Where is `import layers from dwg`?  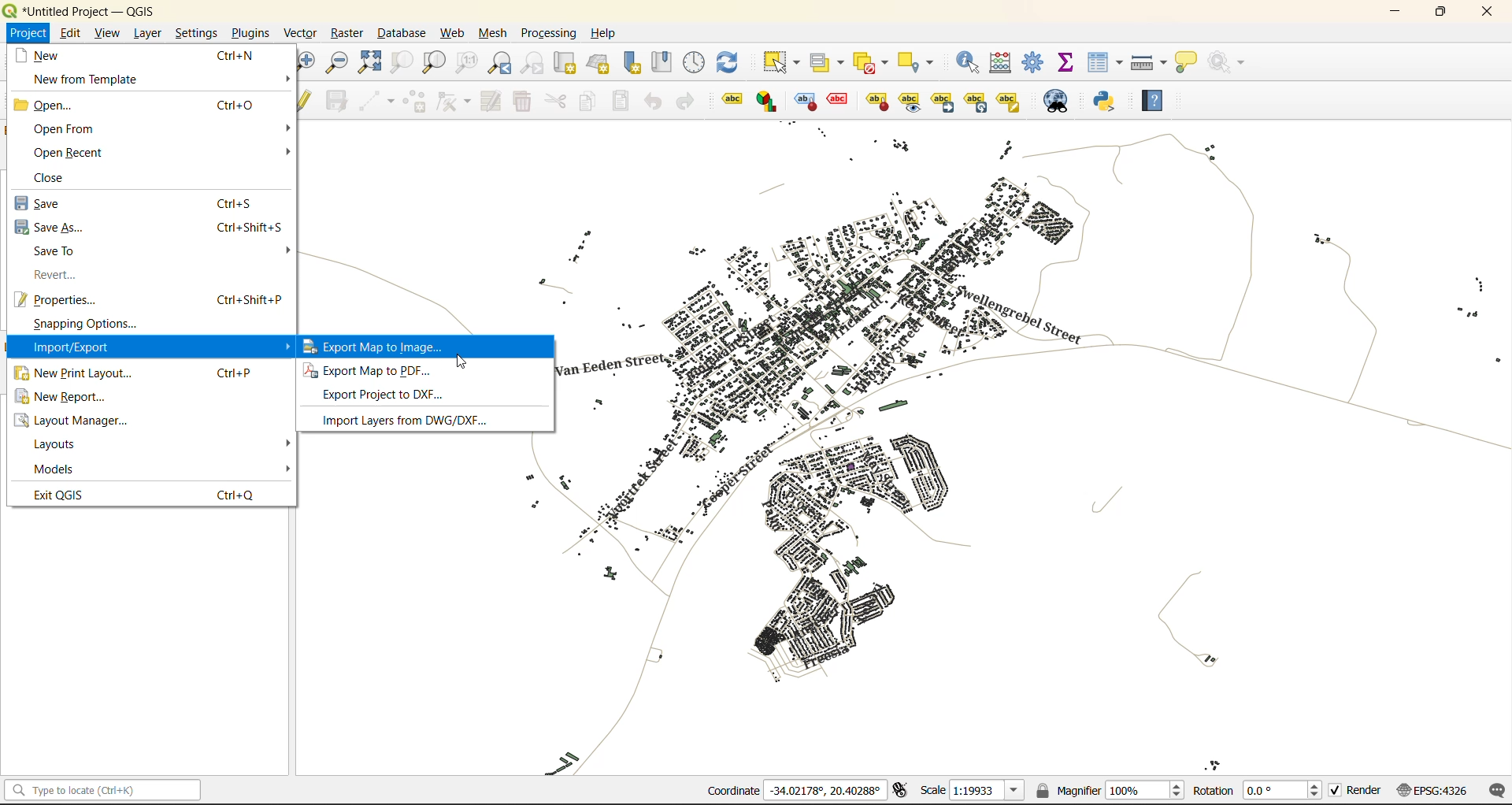
import layers from dwg is located at coordinates (410, 423).